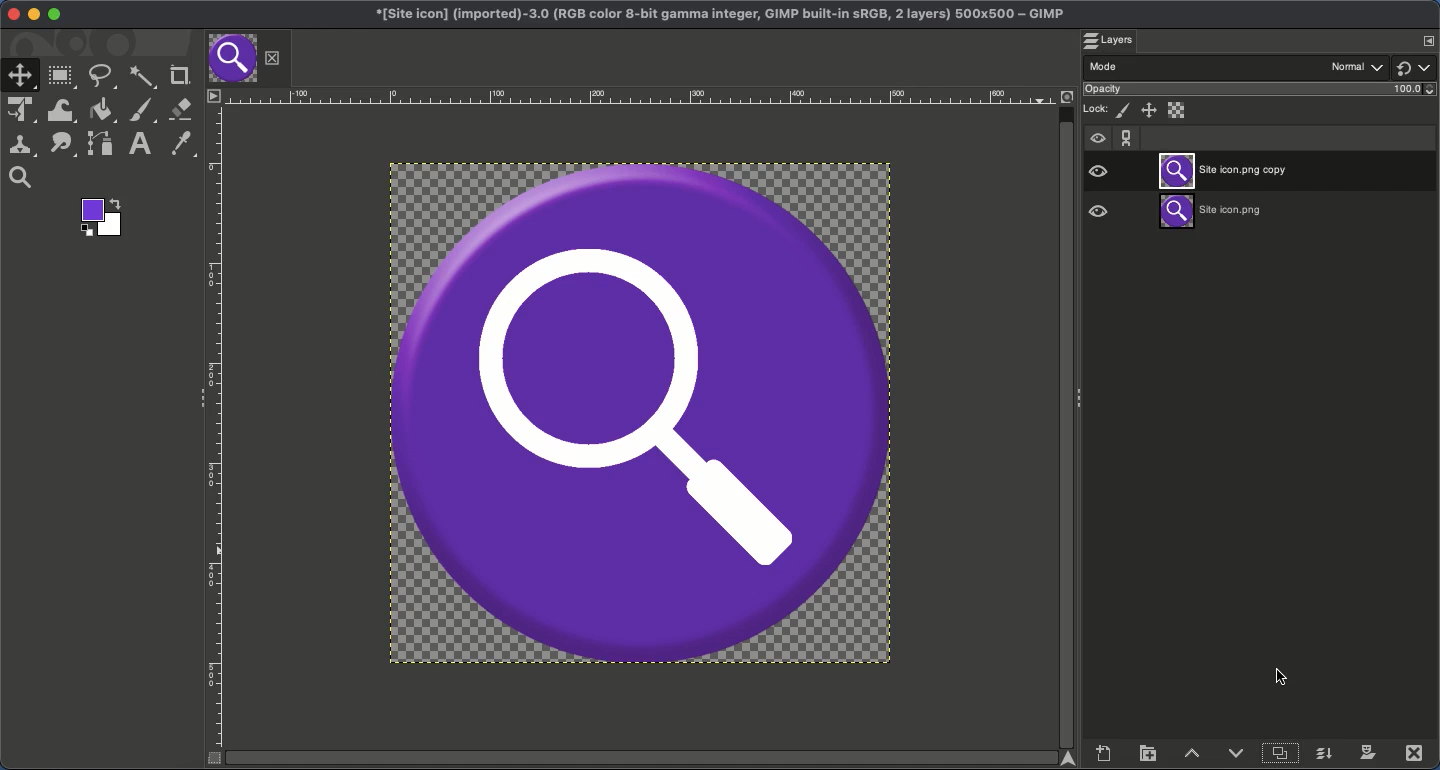 Image resolution: width=1440 pixels, height=770 pixels. I want to click on Merge layers, so click(1322, 751).